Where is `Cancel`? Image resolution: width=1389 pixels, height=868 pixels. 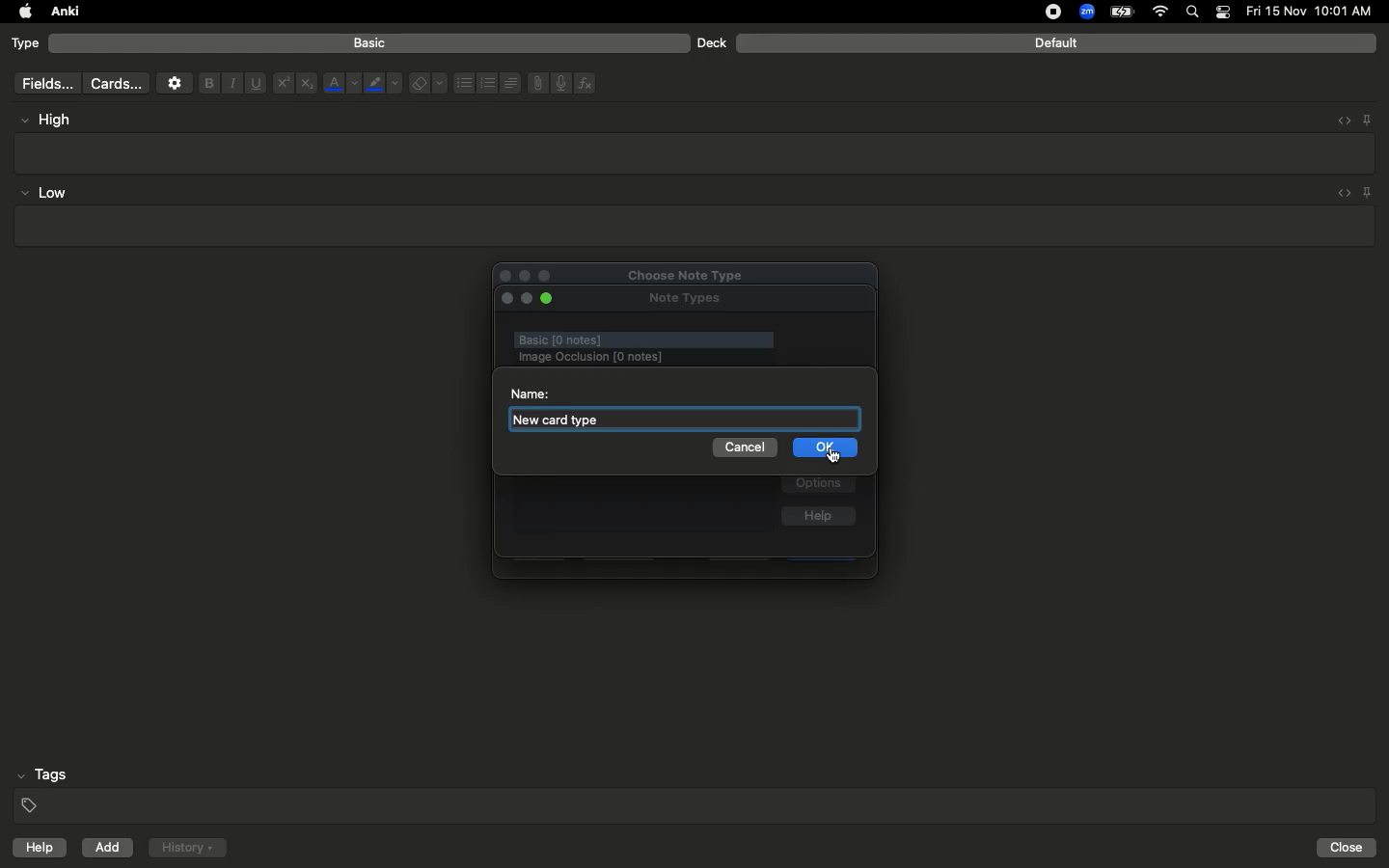
Cancel is located at coordinates (743, 448).